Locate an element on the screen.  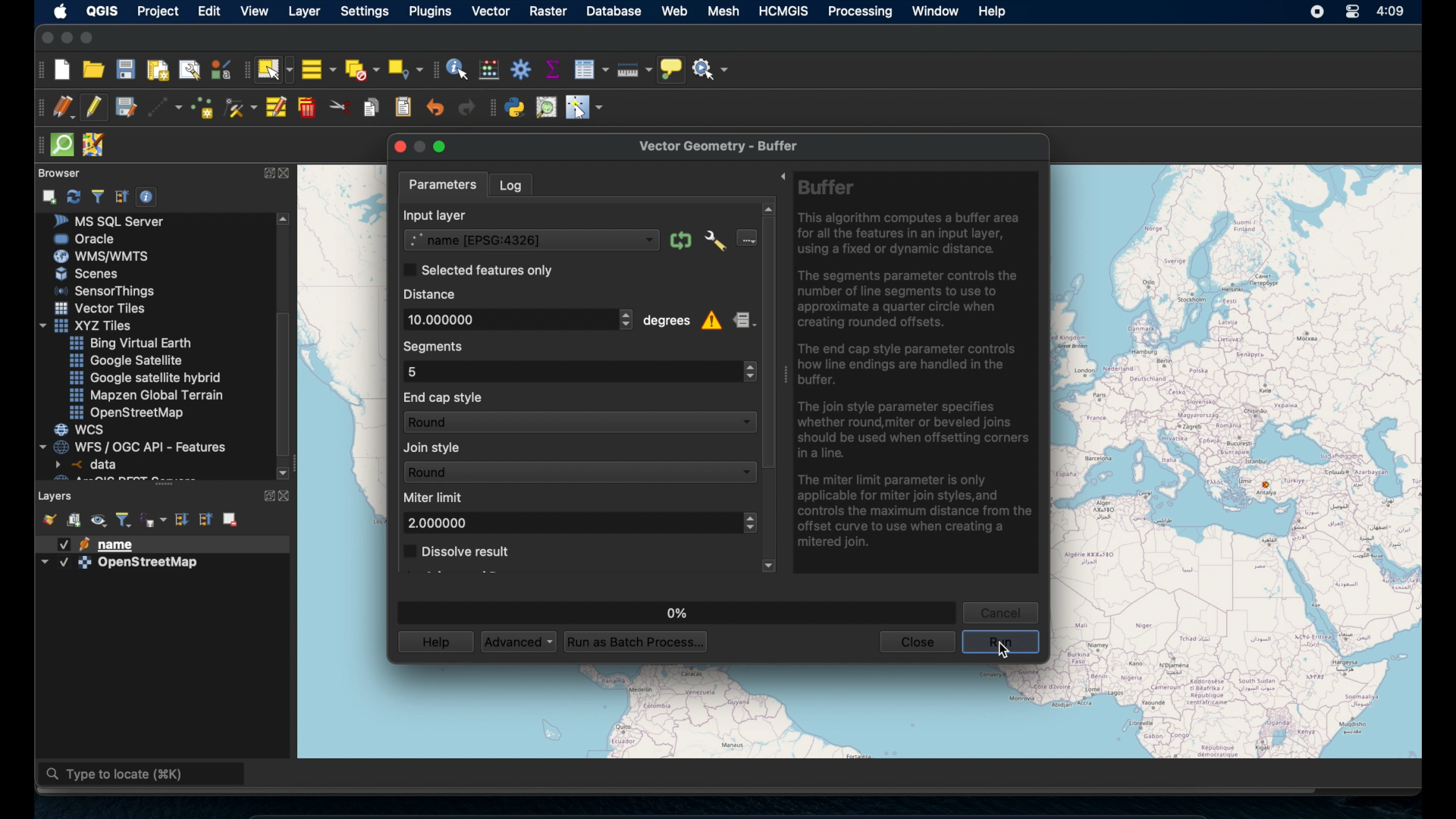
collapse all is located at coordinates (207, 519).